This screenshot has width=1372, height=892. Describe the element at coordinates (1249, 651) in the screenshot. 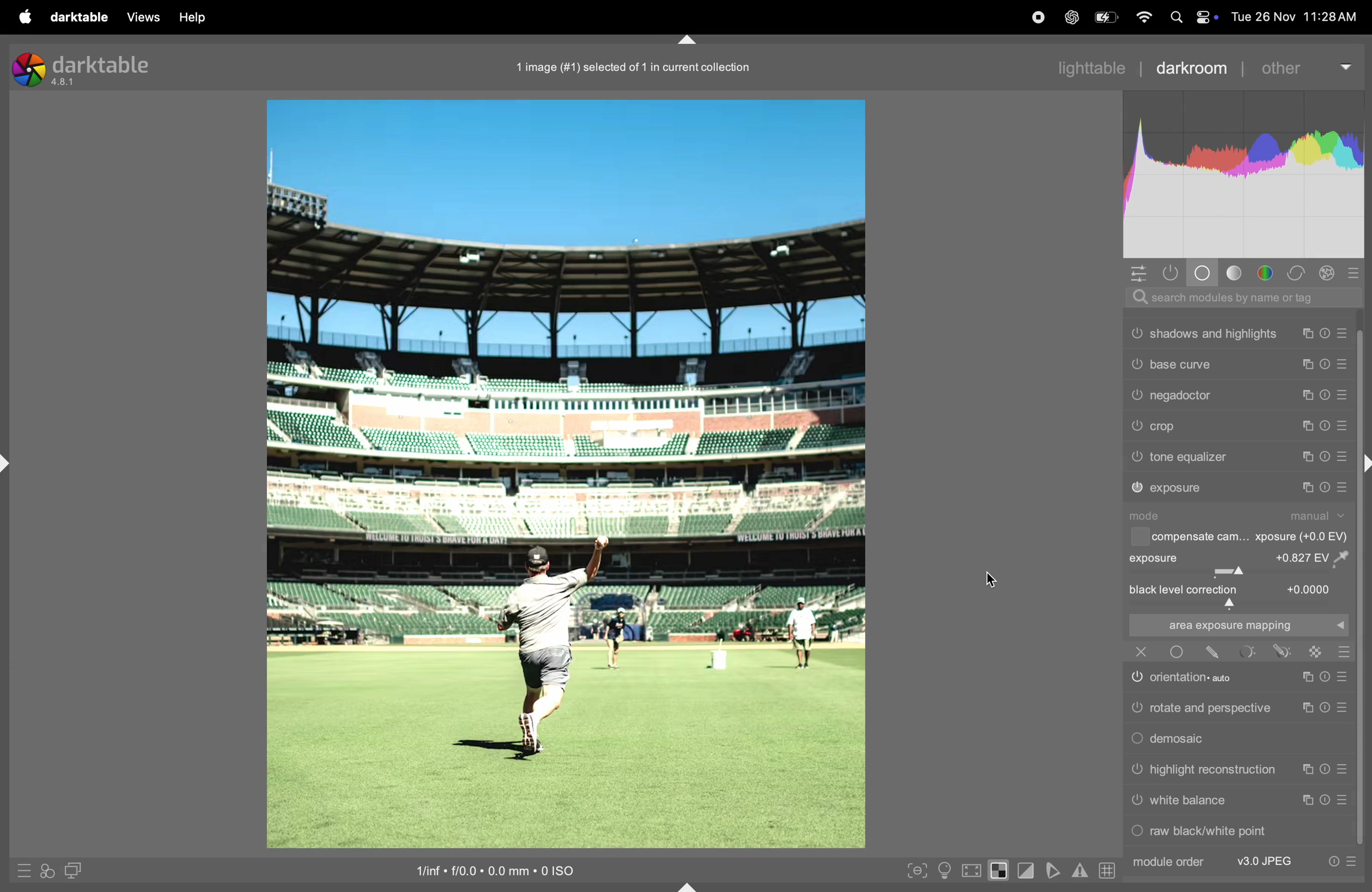

I see `tool` at that location.